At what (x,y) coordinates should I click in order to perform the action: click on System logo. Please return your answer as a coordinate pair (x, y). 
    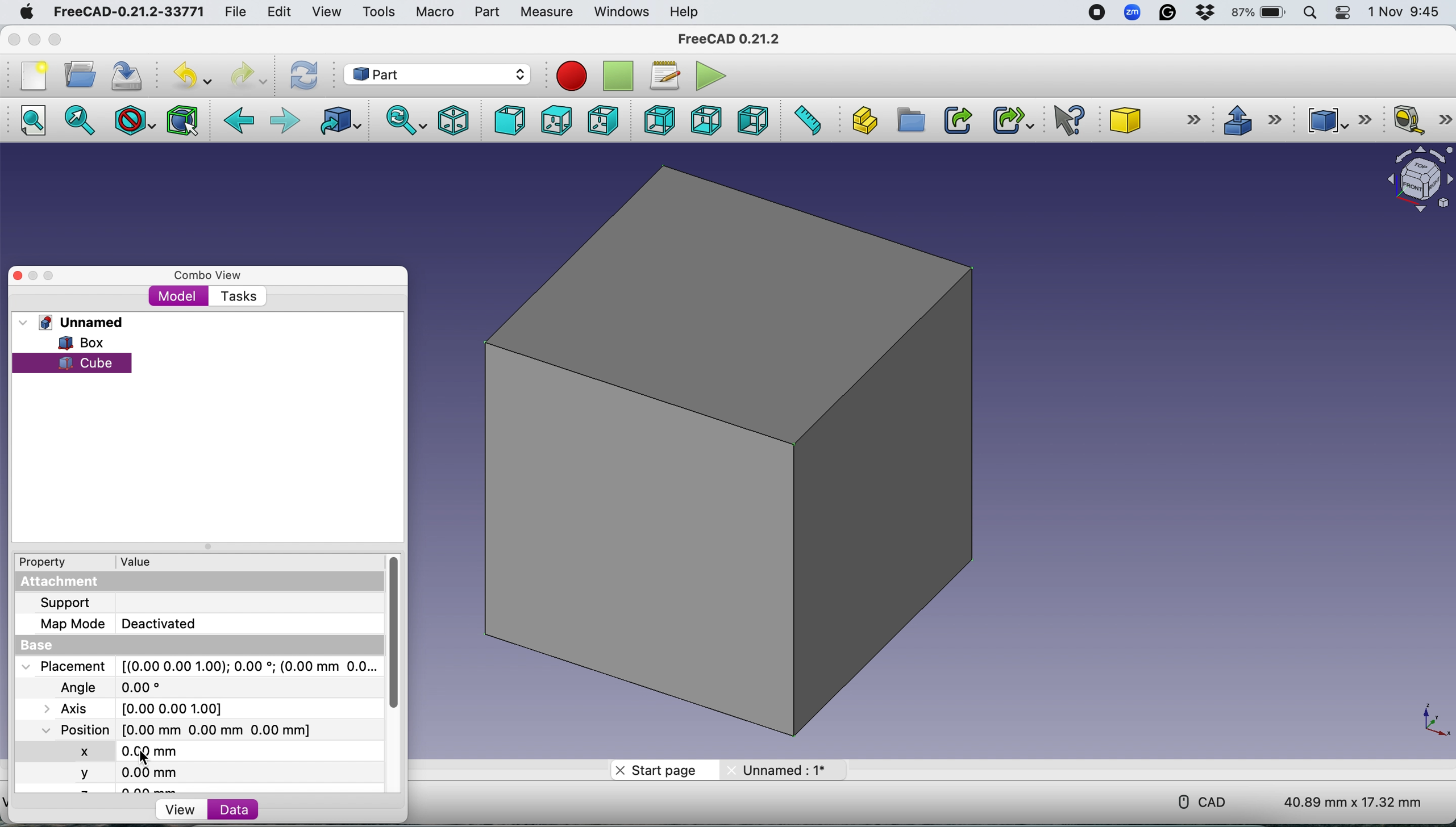
    Looking at the image, I should click on (25, 12).